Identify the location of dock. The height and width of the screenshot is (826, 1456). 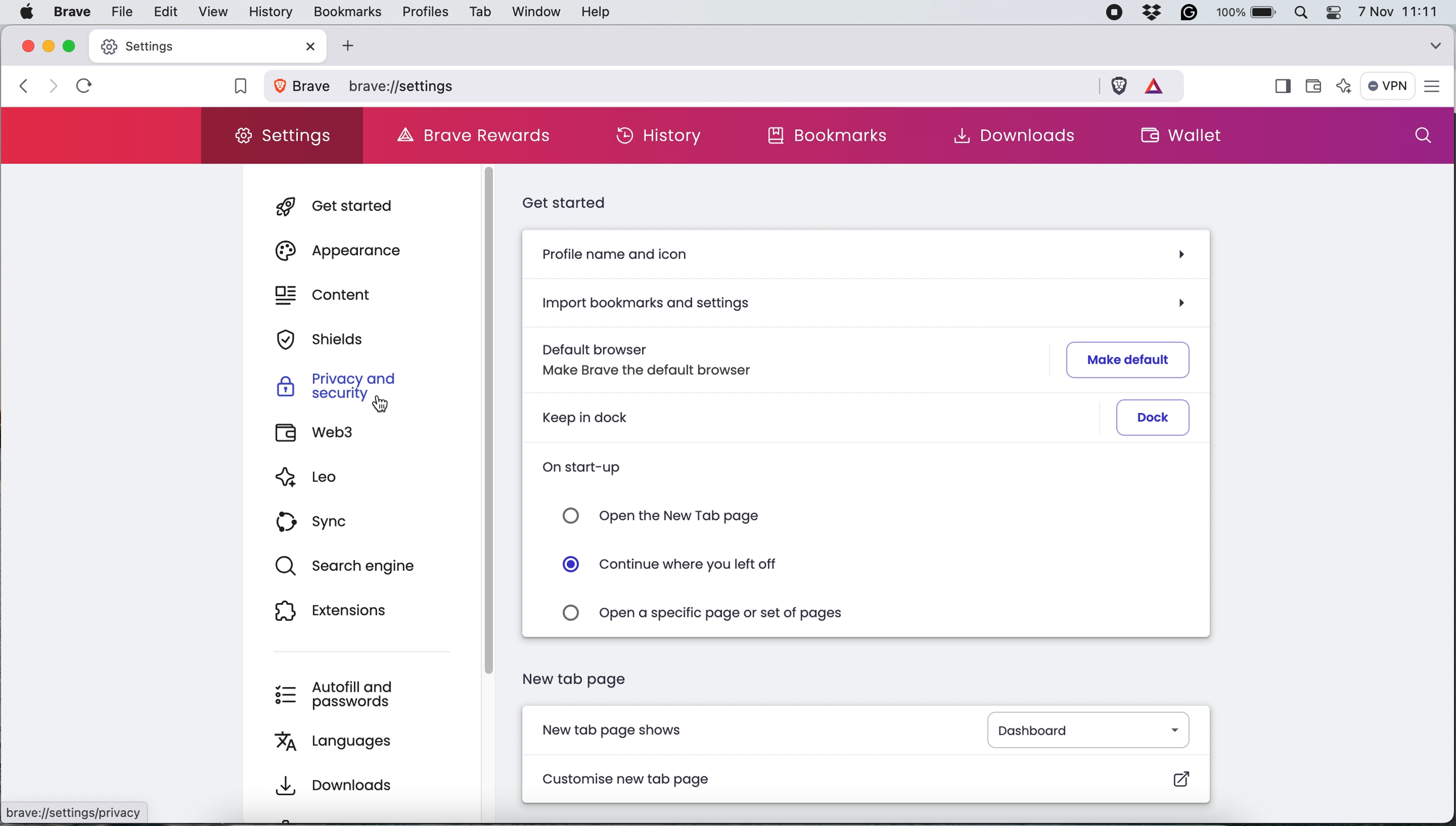
(1154, 418).